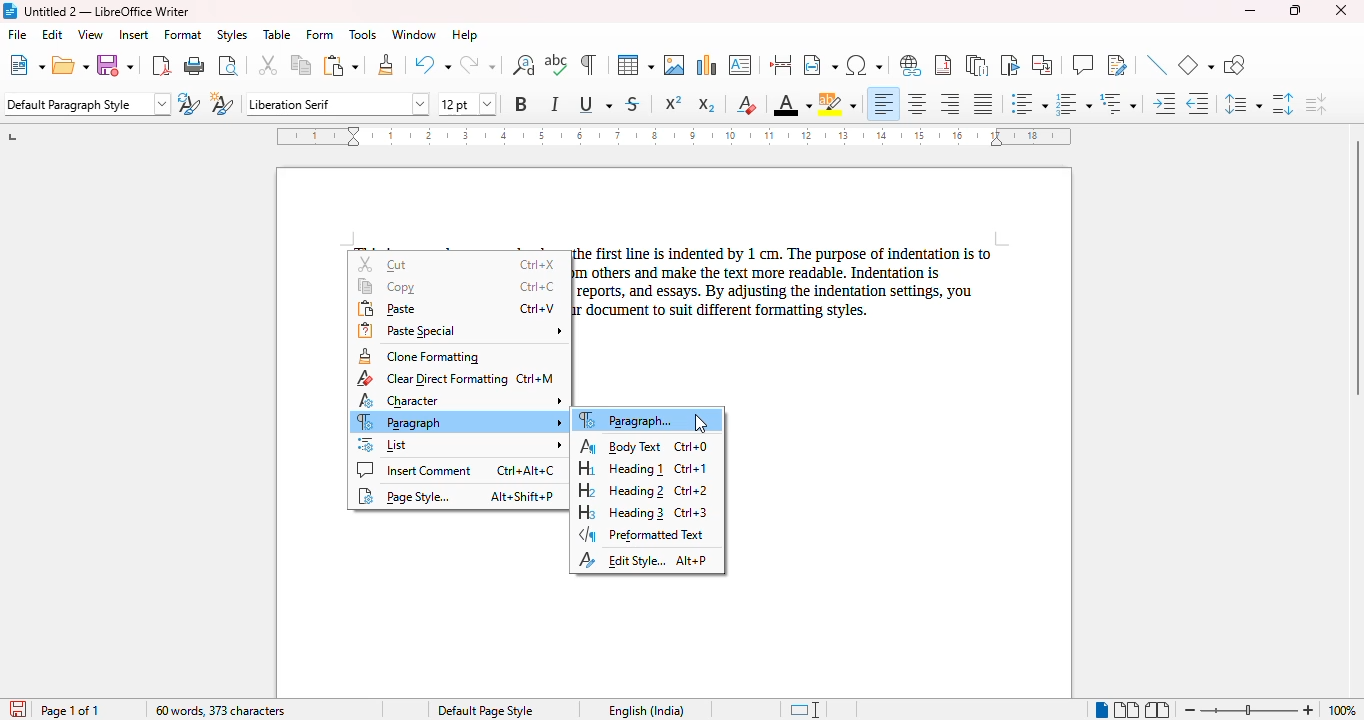 The height and width of the screenshot is (720, 1364). Describe the element at coordinates (557, 65) in the screenshot. I see `spelling` at that location.